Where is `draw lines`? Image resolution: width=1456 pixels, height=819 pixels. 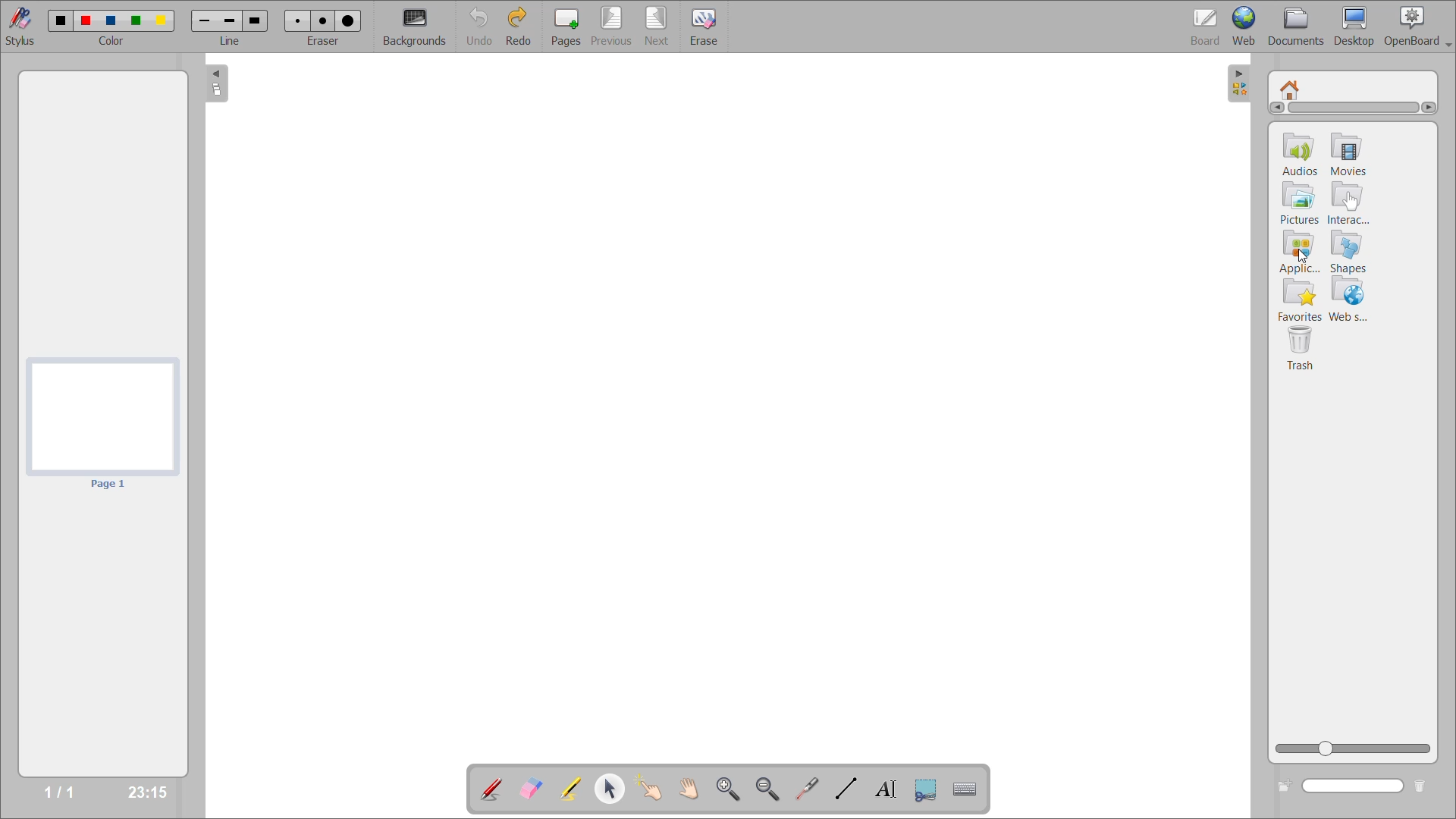 draw lines is located at coordinates (844, 788).